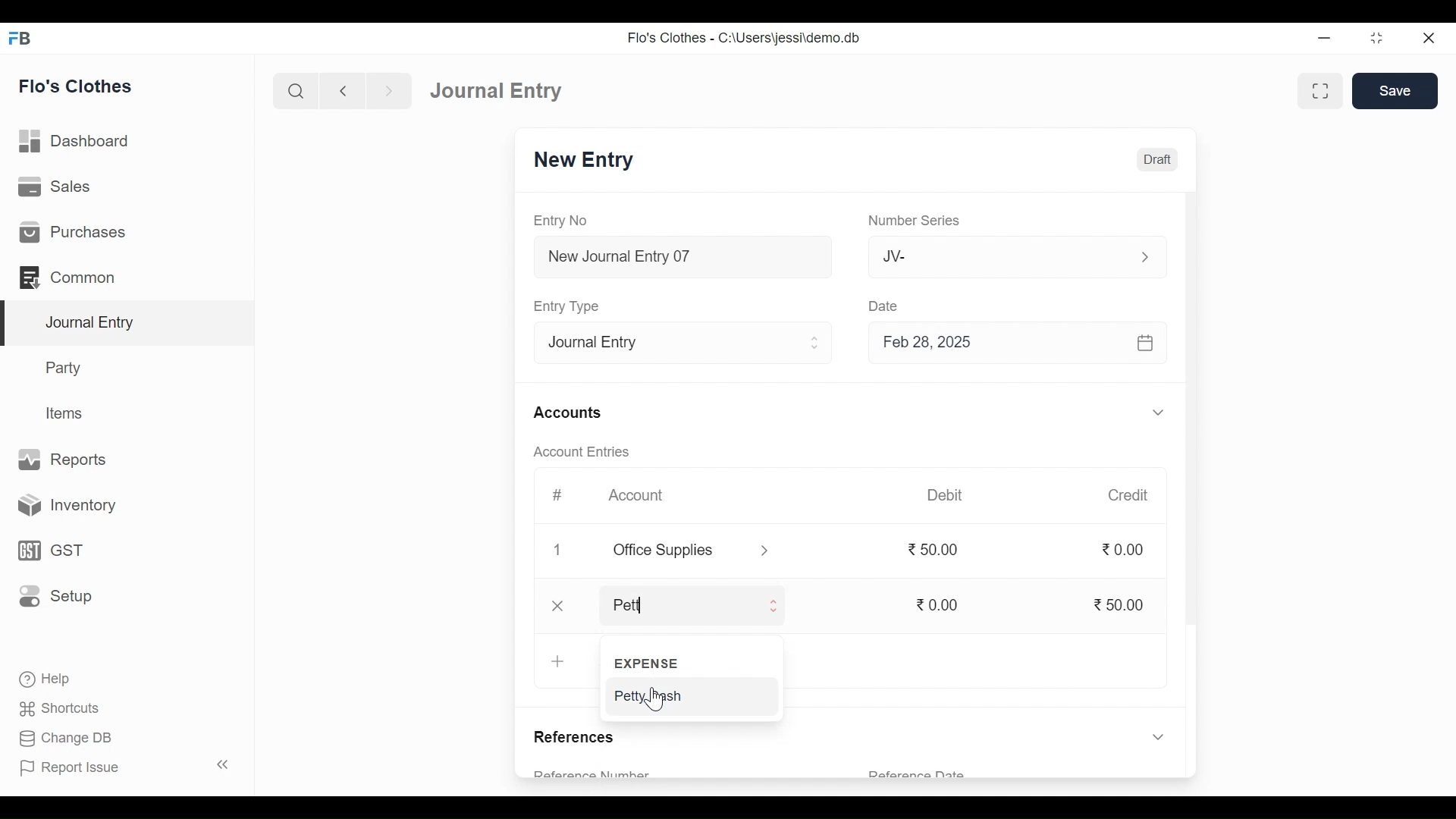 This screenshot has width=1456, height=819. Describe the element at coordinates (558, 494) in the screenshot. I see `#` at that location.